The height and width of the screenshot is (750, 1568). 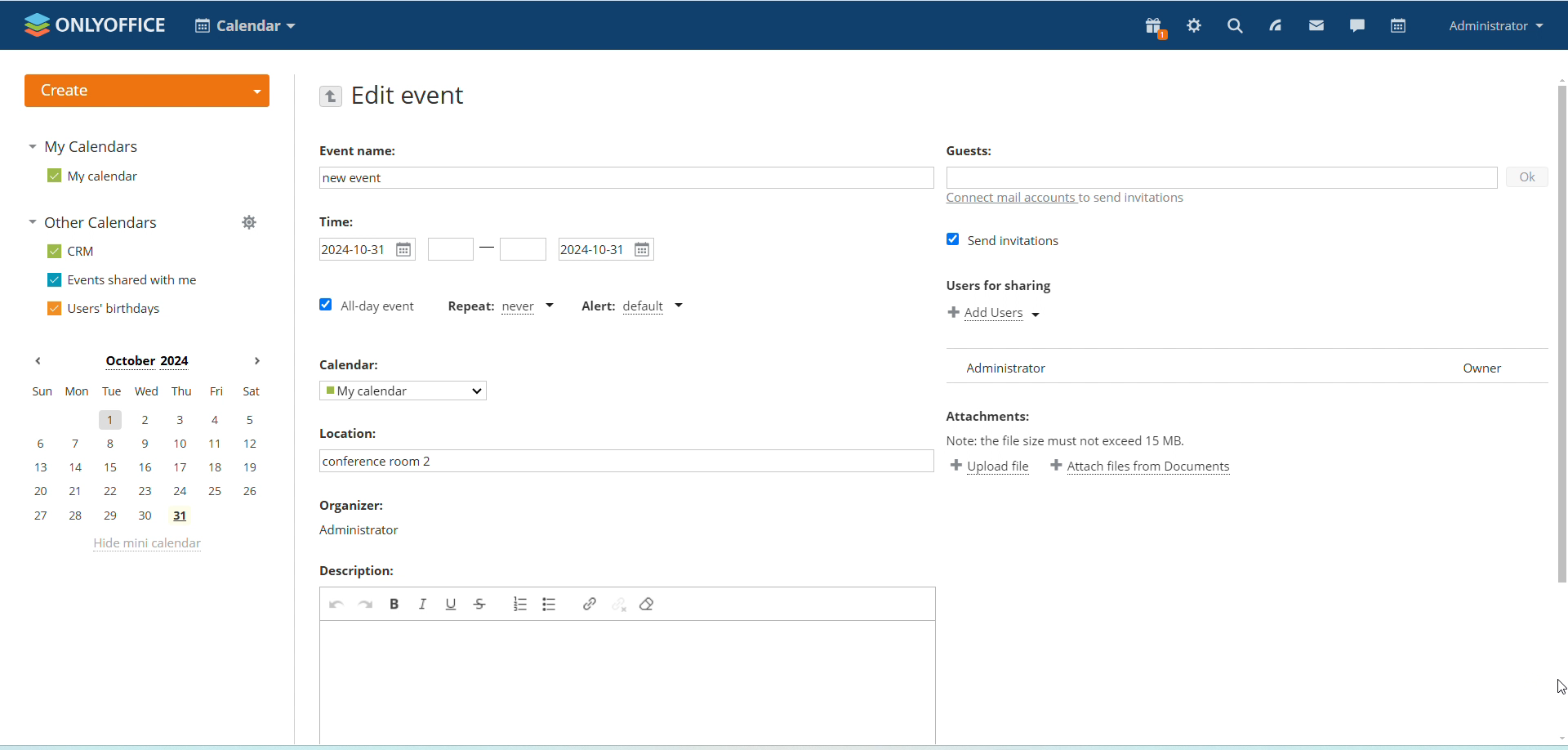 I want to click on mini calendar, so click(x=147, y=453).